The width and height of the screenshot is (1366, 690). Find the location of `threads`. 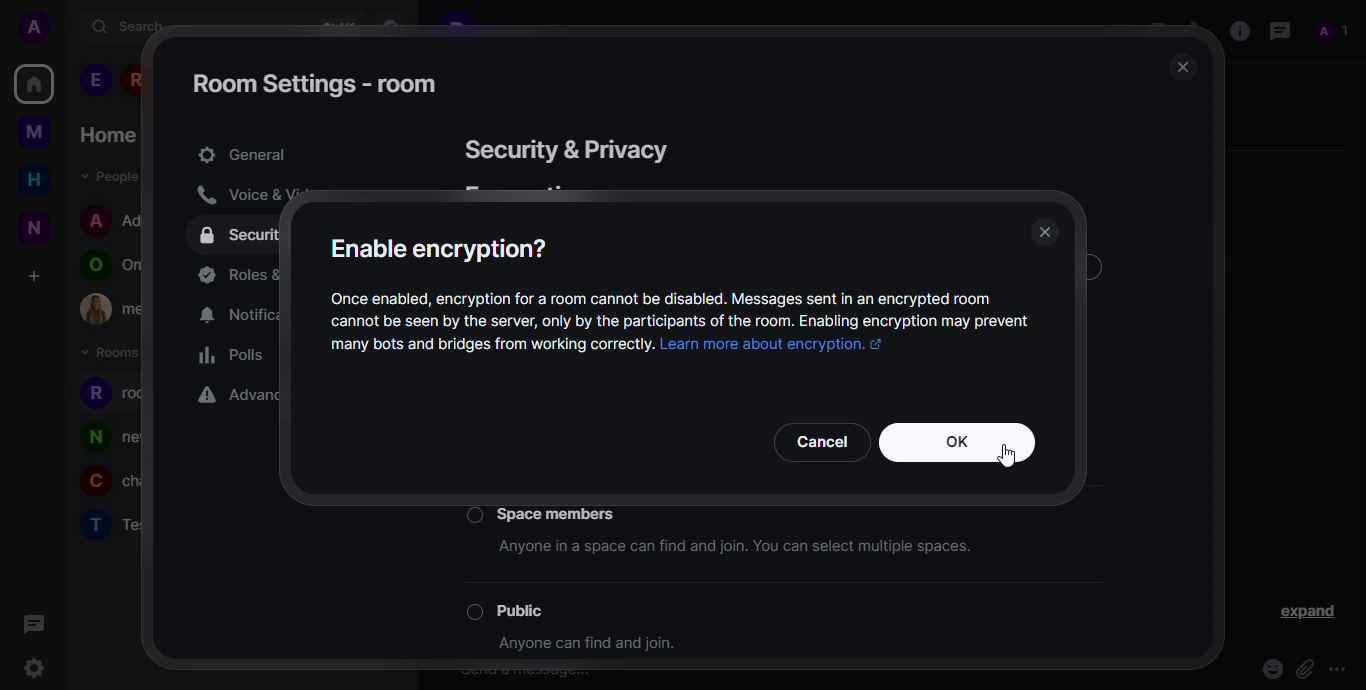

threads is located at coordinates (31, 622).